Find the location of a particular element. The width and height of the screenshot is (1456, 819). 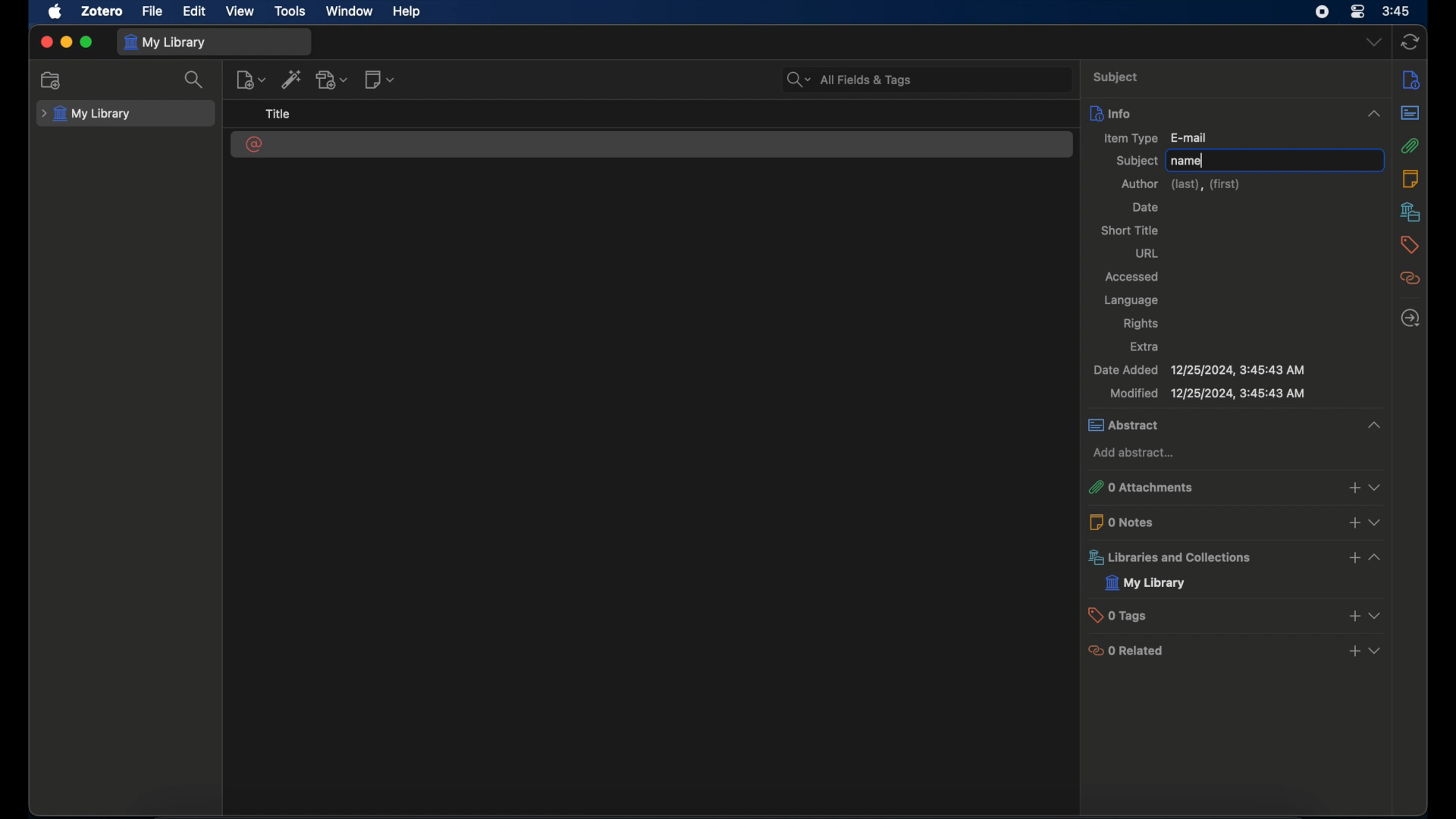

window is located at coordinates (349, 11).